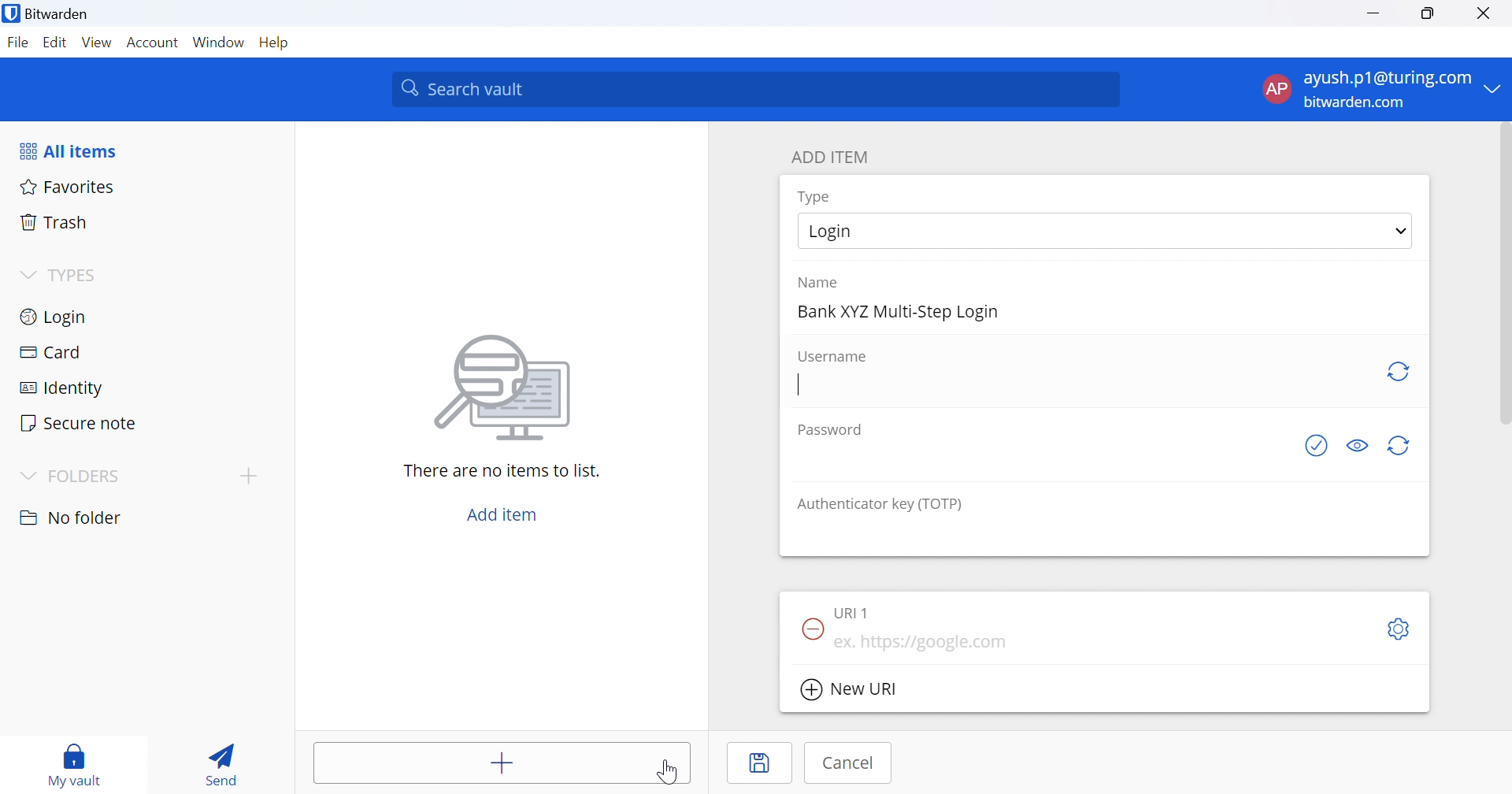 The width and height of the screenshot is (1512, 794). I want to click on Search vault, so click(758, 89).